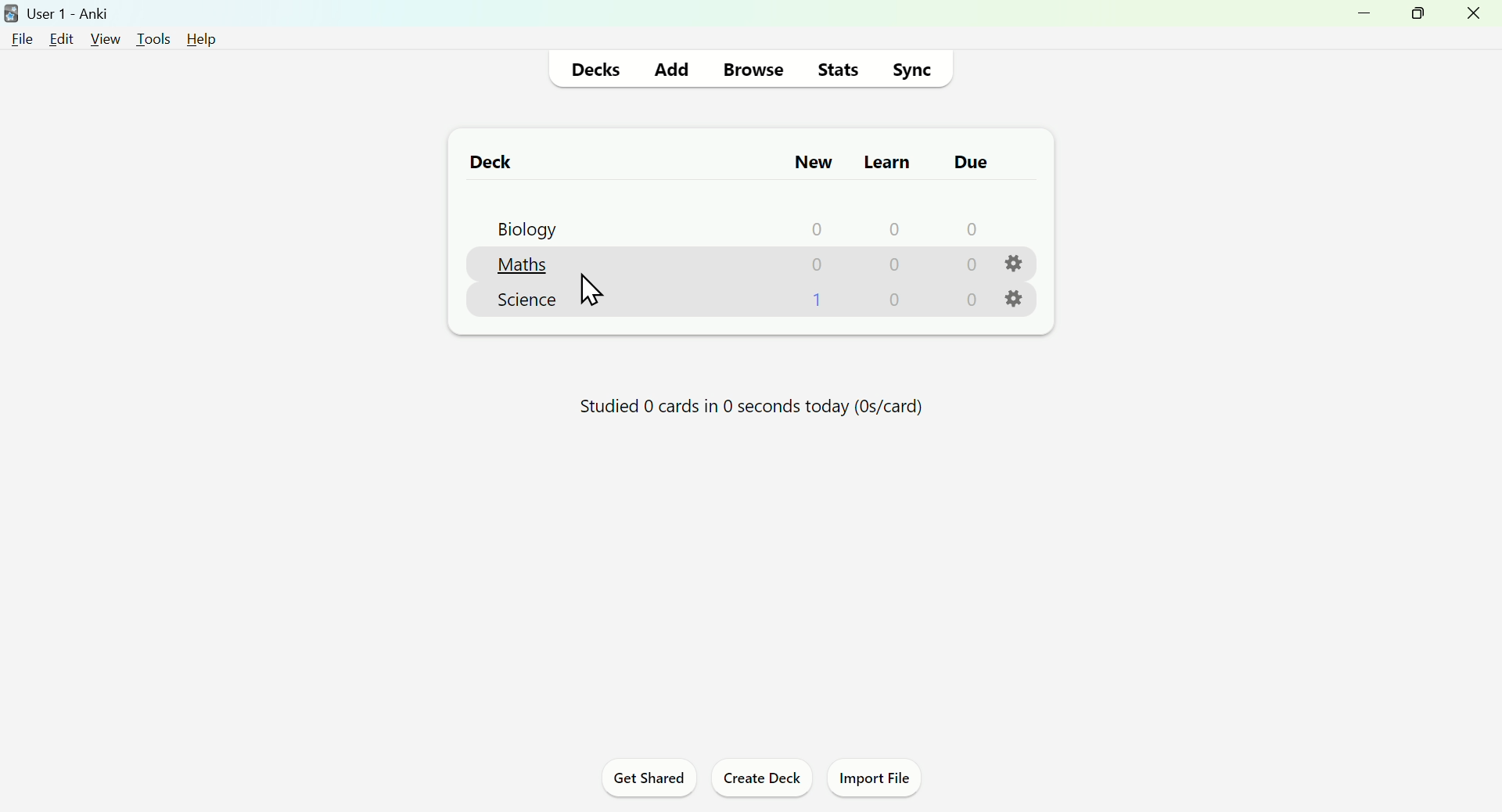 The height and width of the screenshot is (812, 1502). I want to click on 0, so click(972, 300).